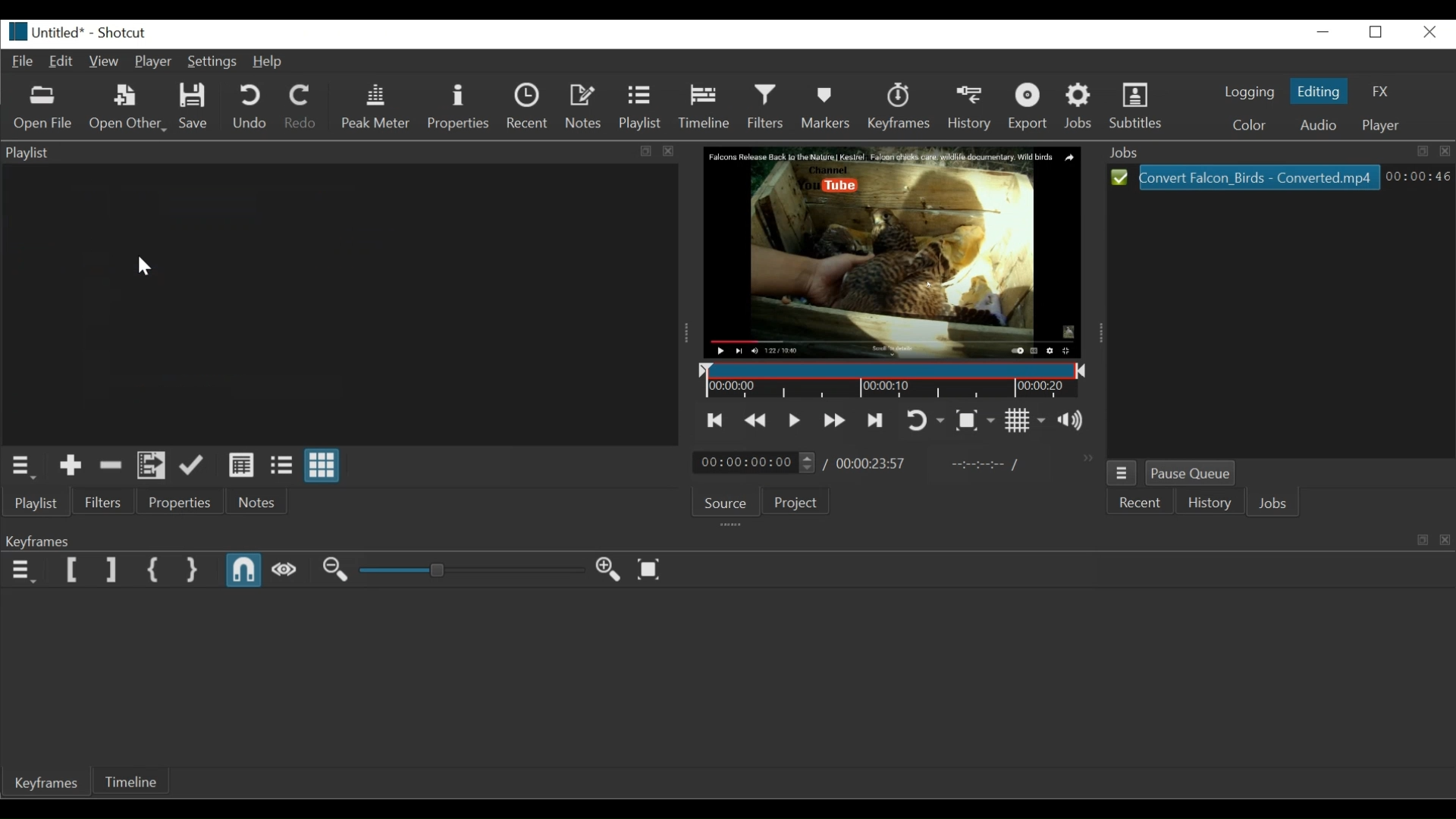  I want to click on View as icons, so click(321, 467).